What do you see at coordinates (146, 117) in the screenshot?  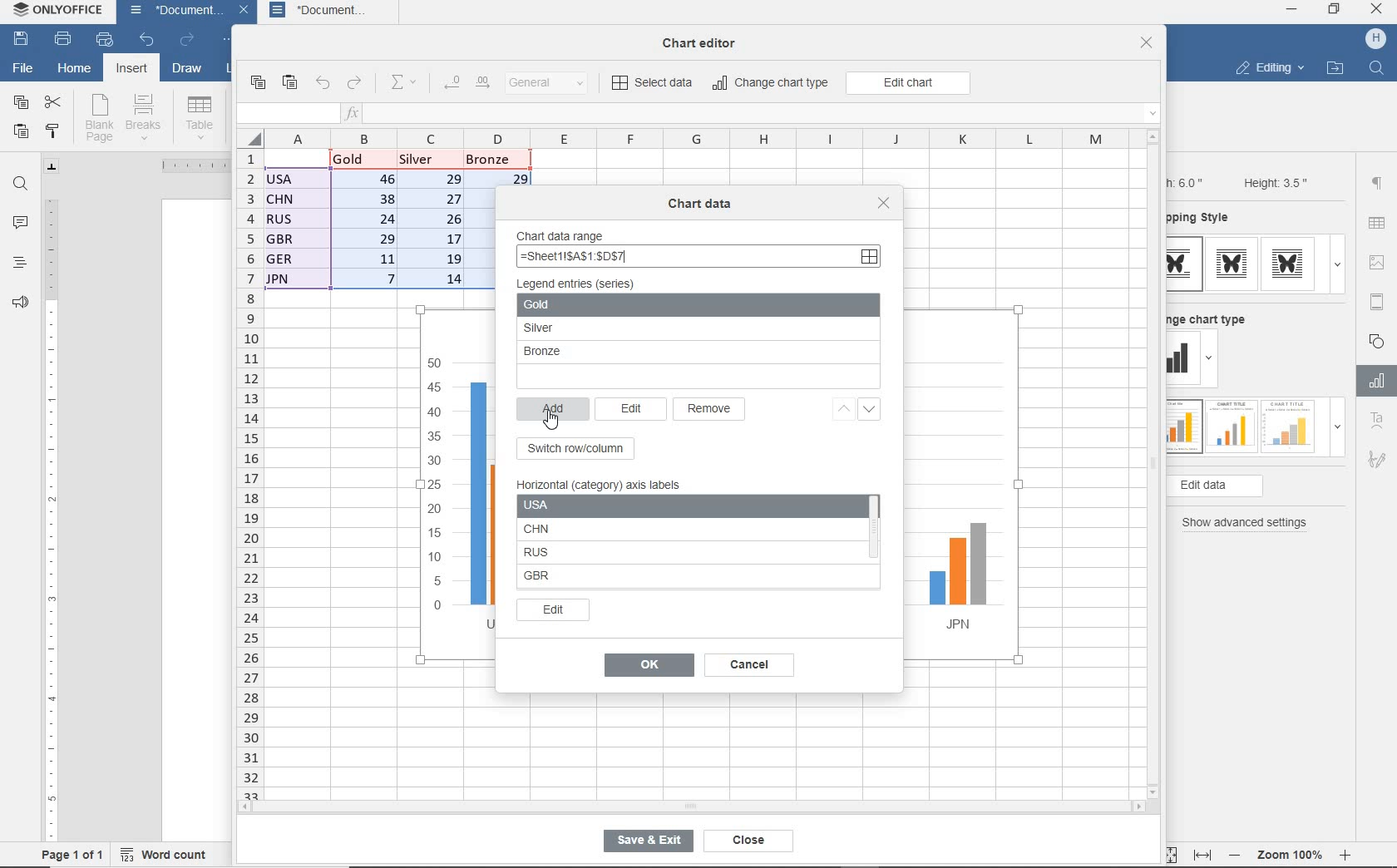 I see `breaks` at bounding box center [146, 117].